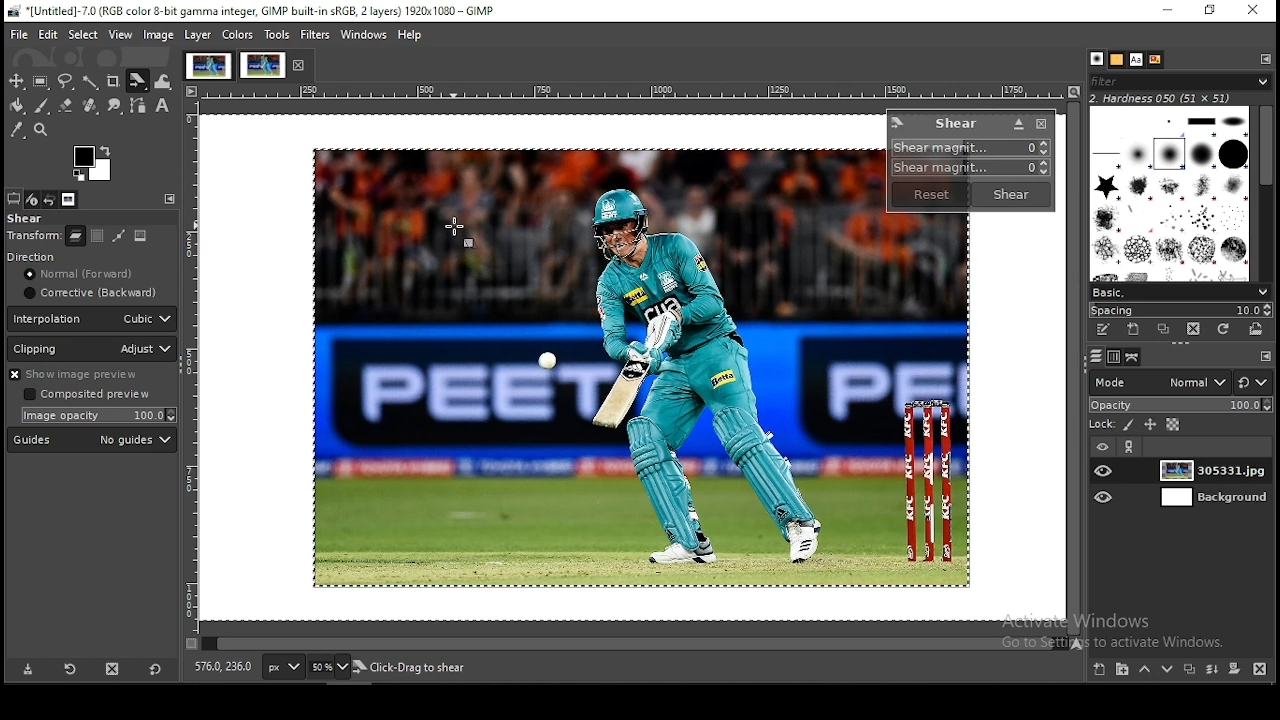 Image resolution: width=1280 pixels, height=720 pixels. I want to click on edit, so click(49, 34).